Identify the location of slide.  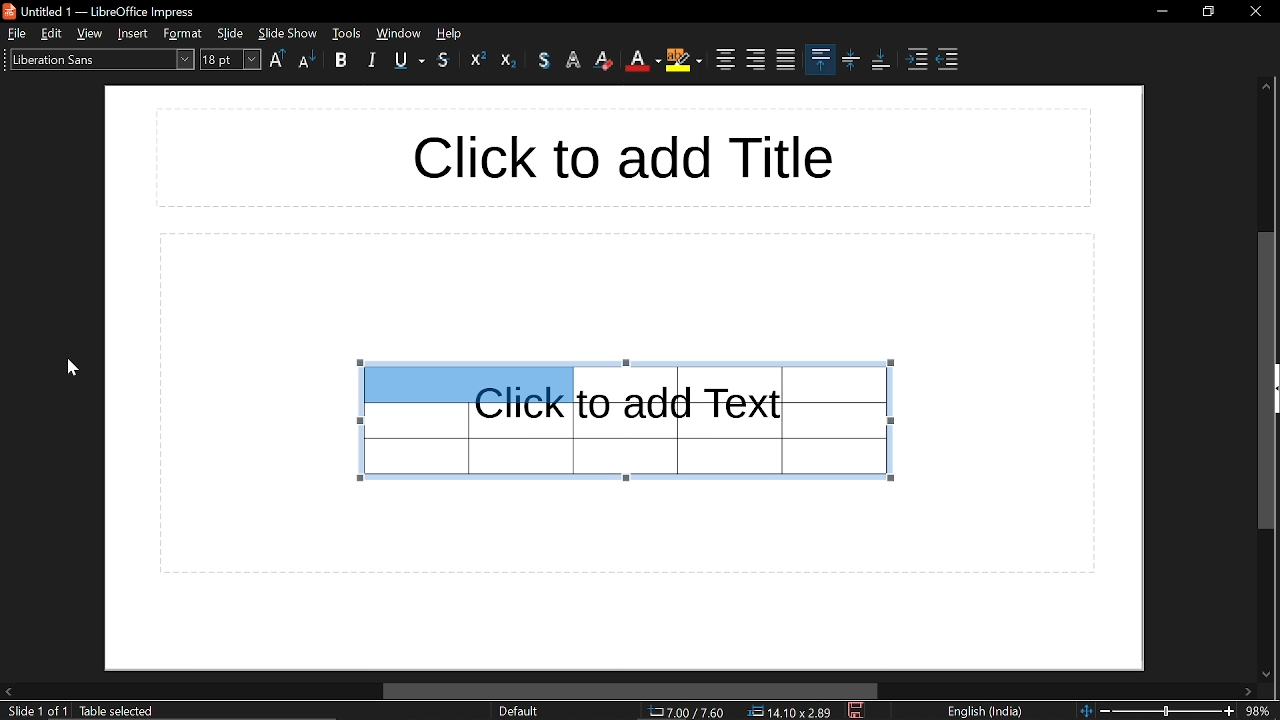
(231, 33).